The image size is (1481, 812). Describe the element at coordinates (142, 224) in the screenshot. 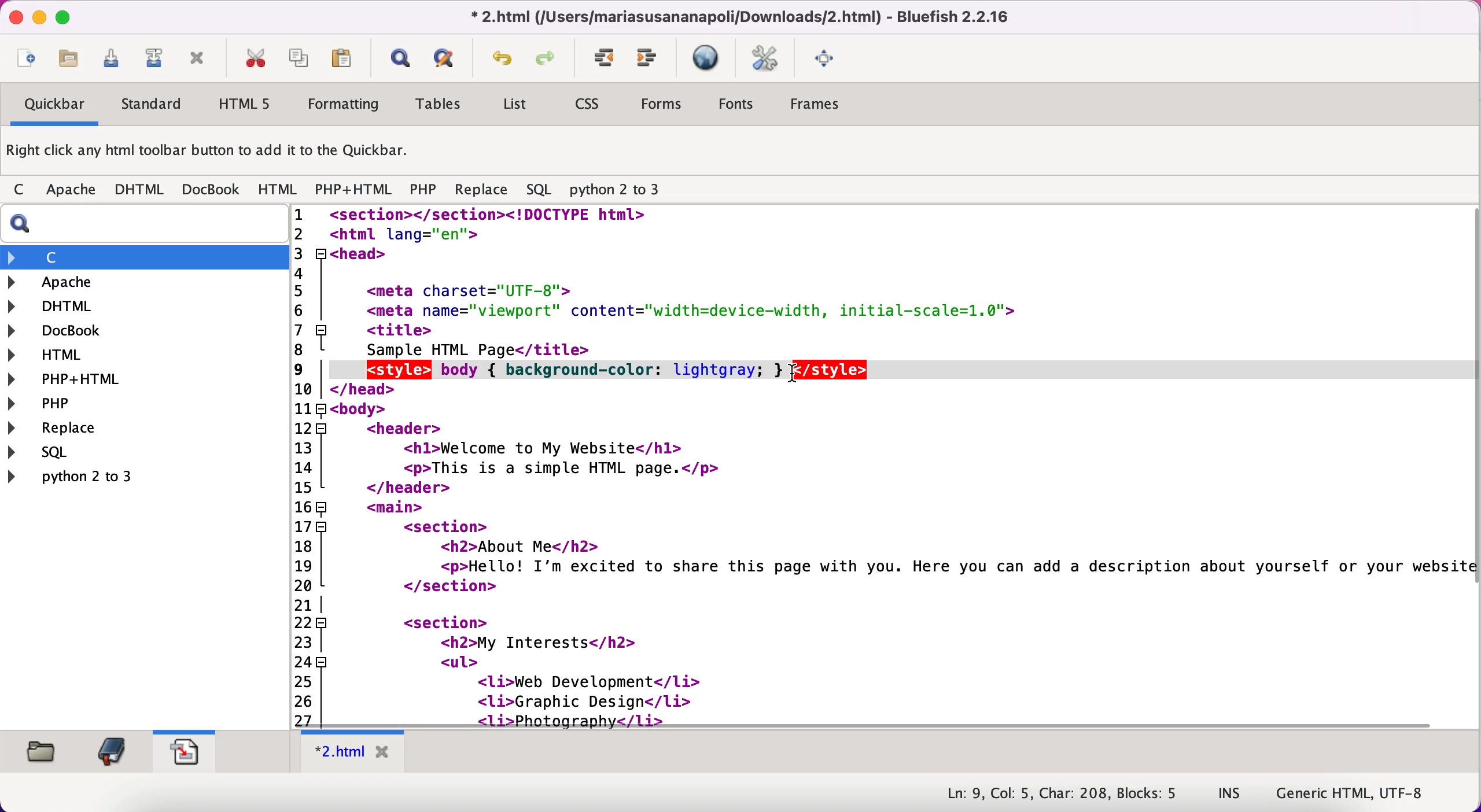

I see `search bar` at that location.